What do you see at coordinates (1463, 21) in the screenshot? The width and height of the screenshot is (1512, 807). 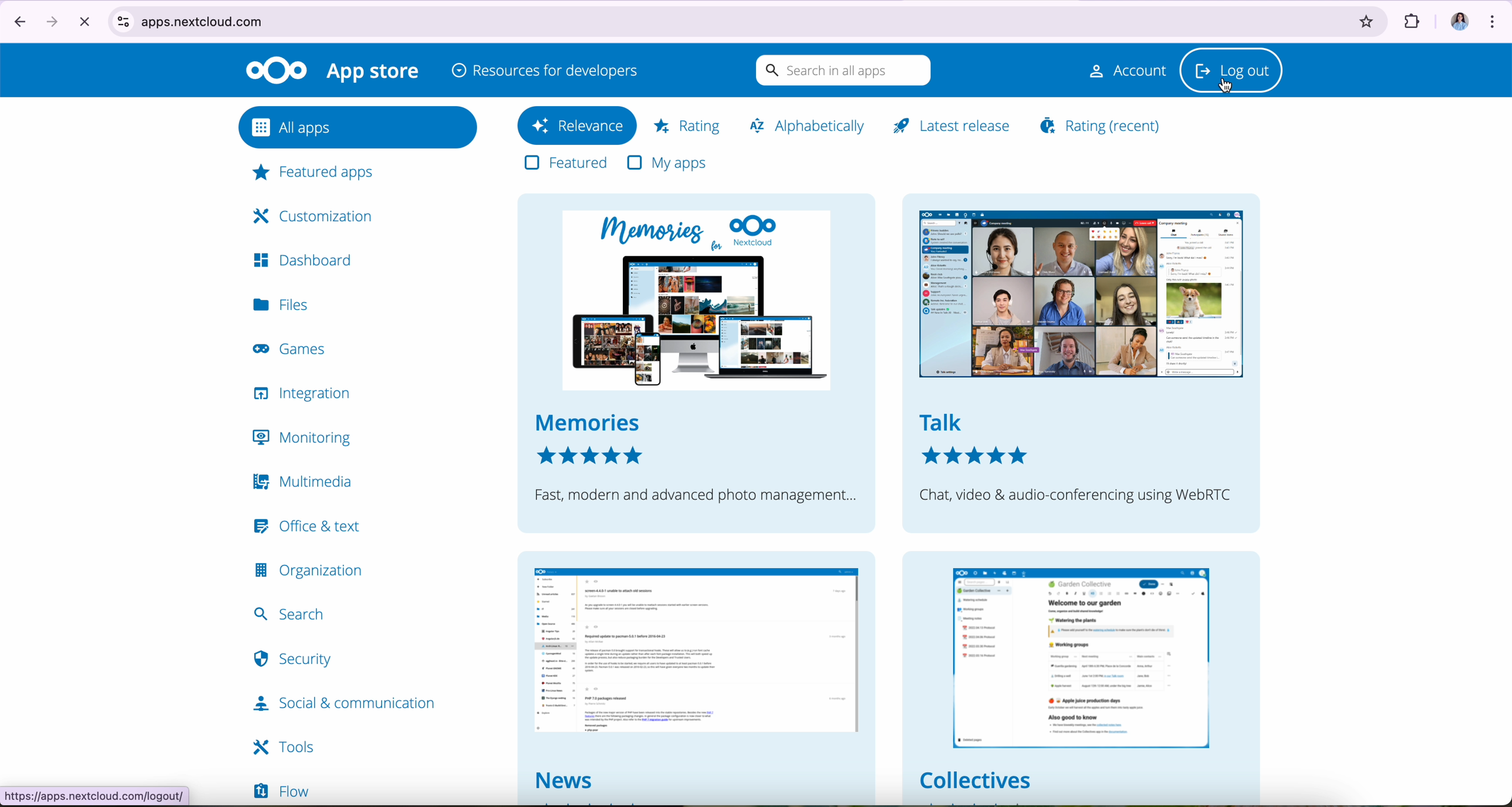 I see `image profile` at bounding box center [1463, 21].